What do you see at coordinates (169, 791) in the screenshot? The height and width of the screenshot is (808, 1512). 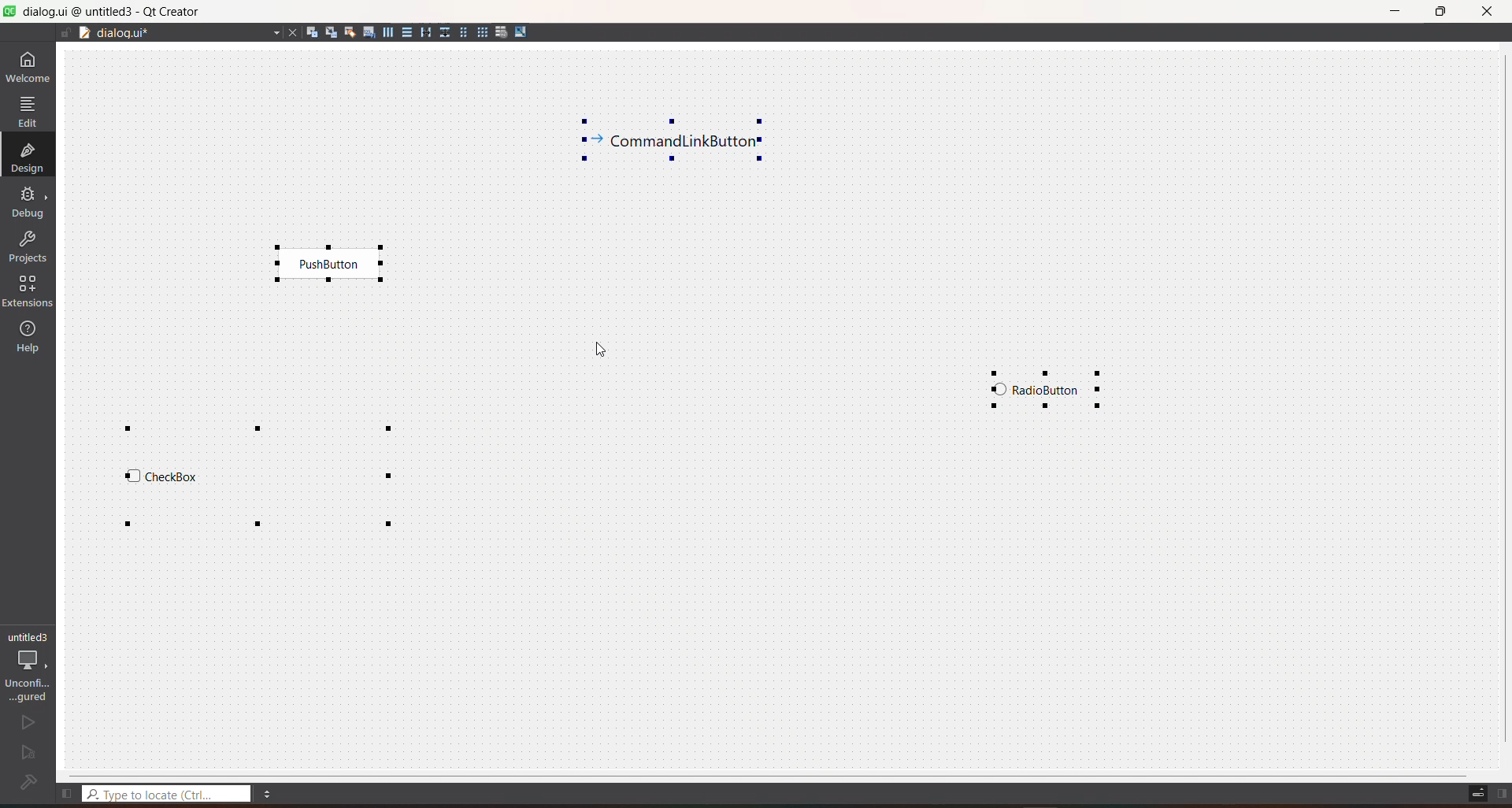 I see `type to locate` at bounding box center [169, 791].